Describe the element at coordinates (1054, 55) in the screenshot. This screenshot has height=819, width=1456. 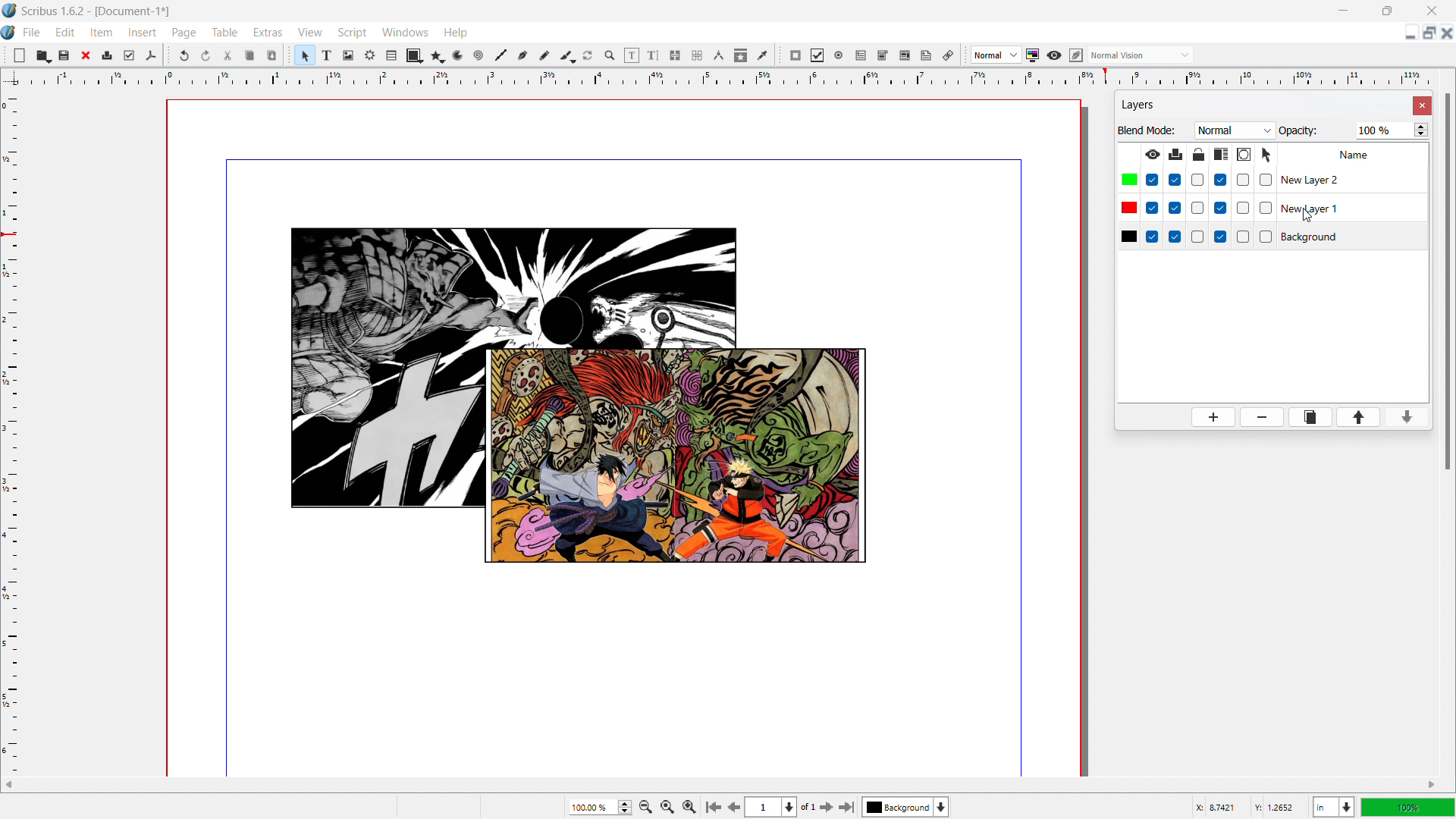
I see `preview mode` at that location.